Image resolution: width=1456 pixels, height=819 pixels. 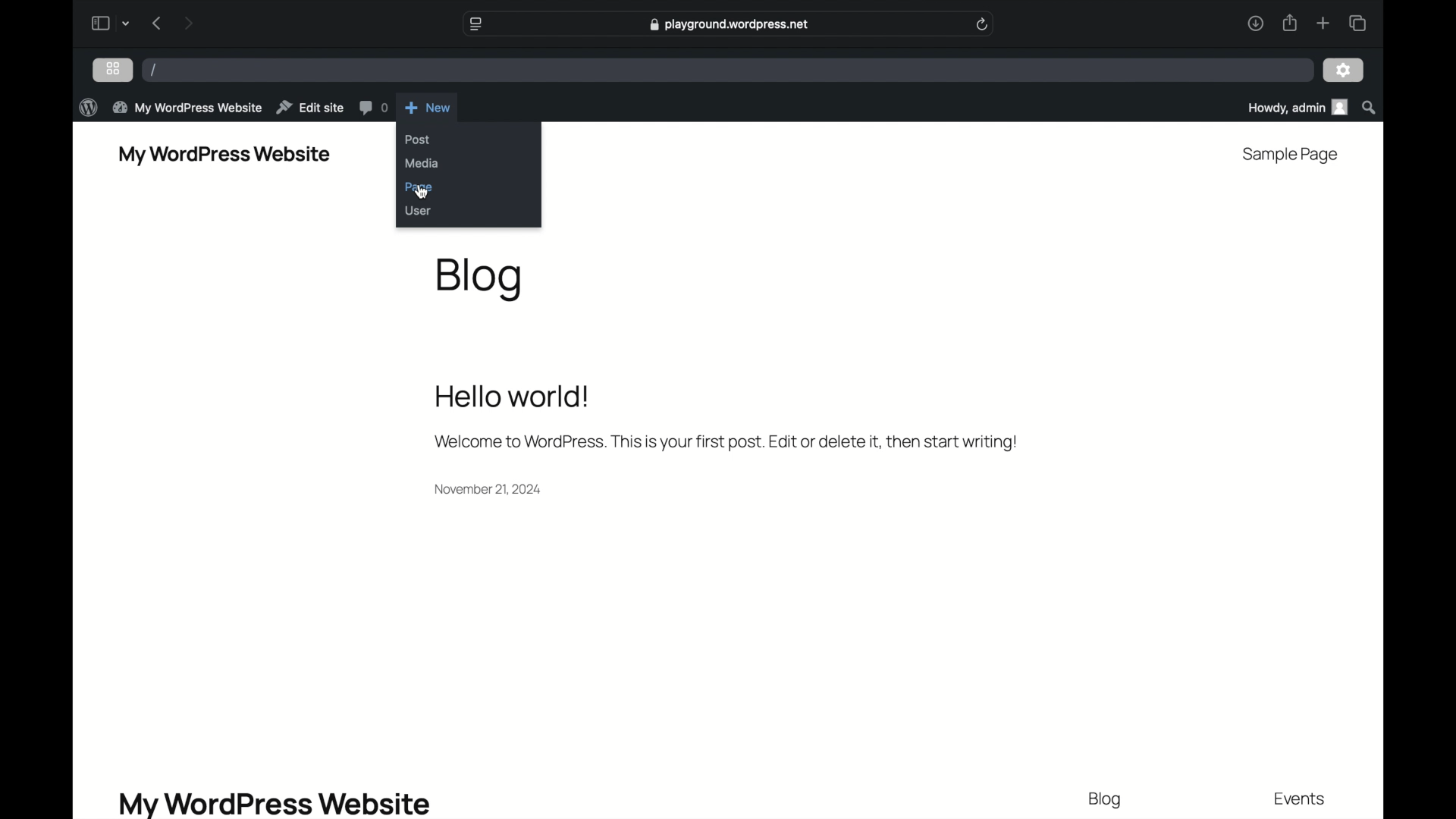 What do you see at coordinates (224, 155) in the screenshot?
I see `My wordpresss website` at bounding box center [224, 155].